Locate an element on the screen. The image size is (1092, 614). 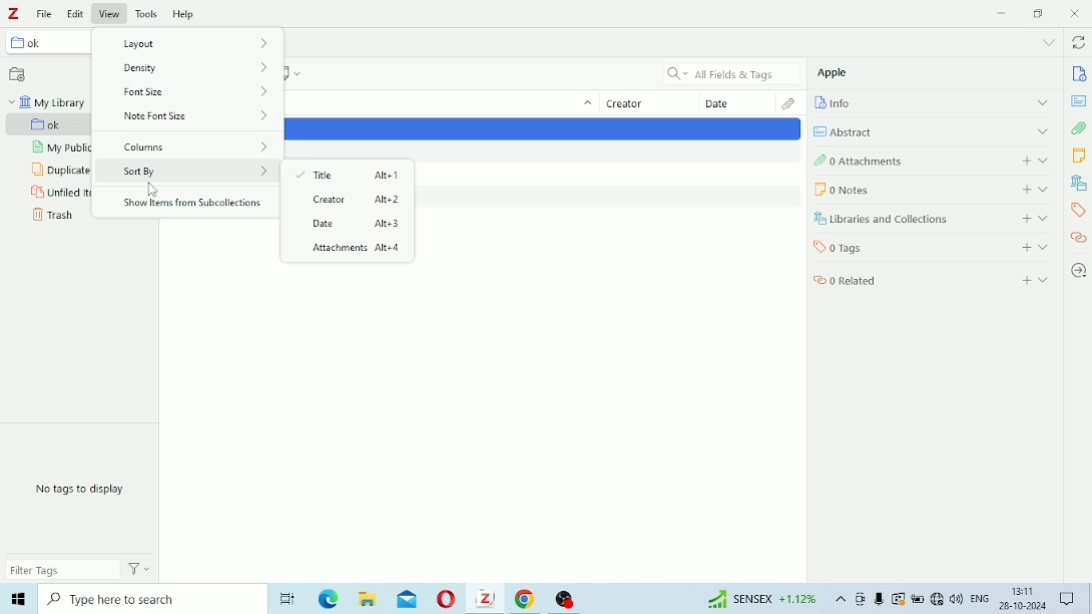
Attachments is located at coordinates (890, 162).